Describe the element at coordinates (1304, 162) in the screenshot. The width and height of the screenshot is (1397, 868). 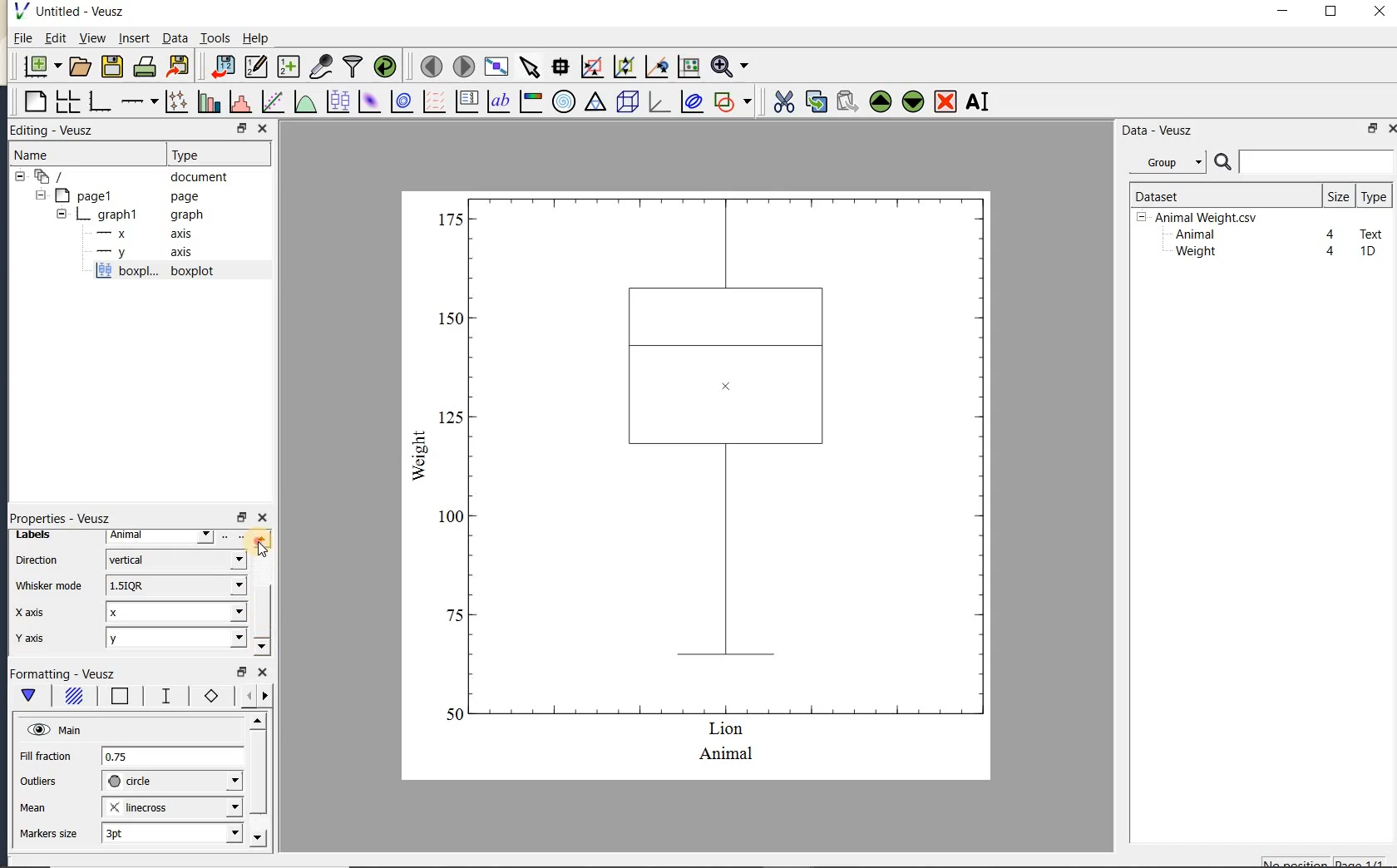
I see `search datasets` at that location.